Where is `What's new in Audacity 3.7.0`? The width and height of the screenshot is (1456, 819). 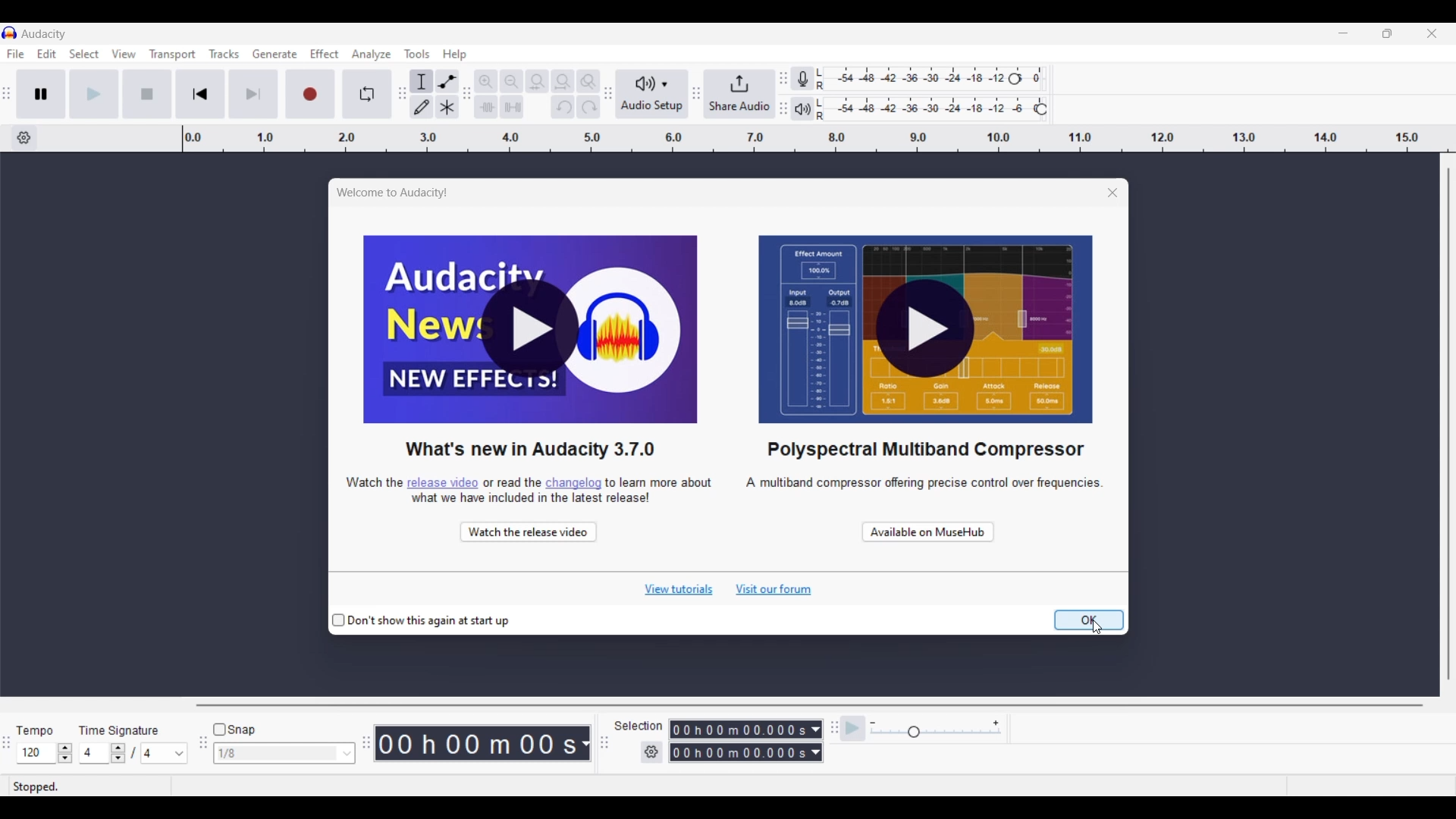 What's new in Audacity 3.7.0 is located at coordinates (531, 448).